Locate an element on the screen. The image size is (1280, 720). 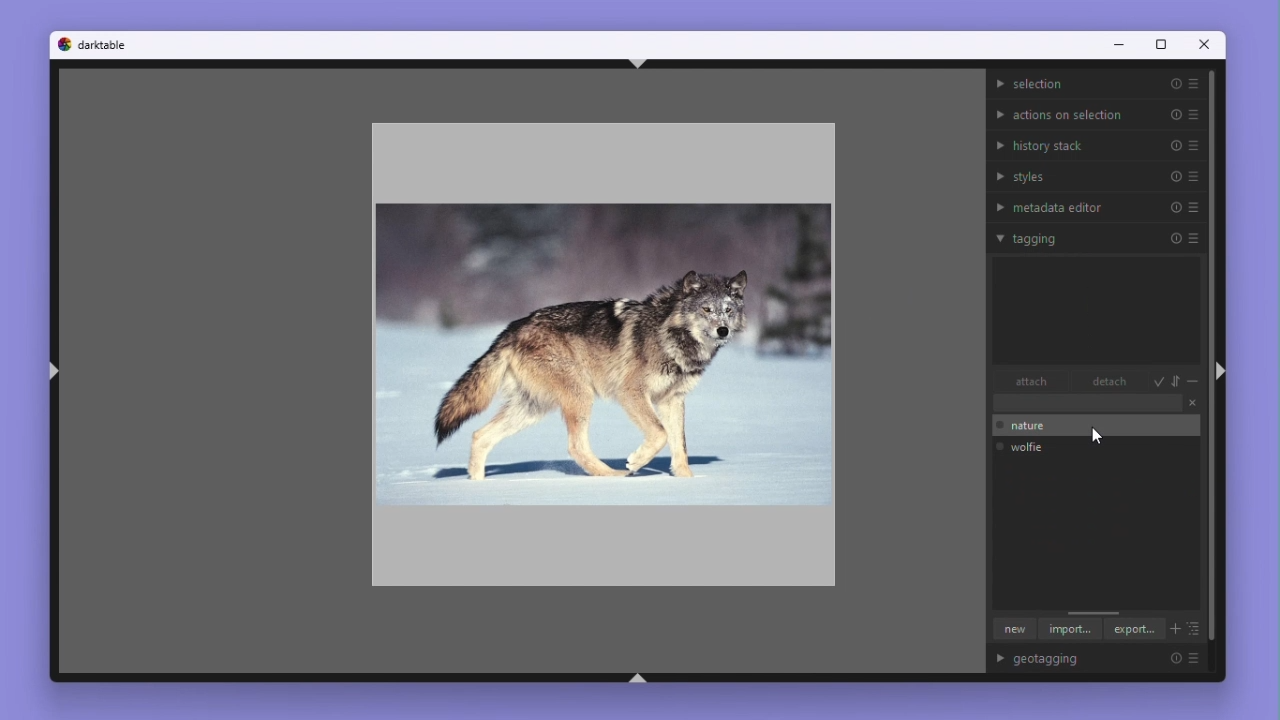
History stack is located at coordinates (1096, 144).